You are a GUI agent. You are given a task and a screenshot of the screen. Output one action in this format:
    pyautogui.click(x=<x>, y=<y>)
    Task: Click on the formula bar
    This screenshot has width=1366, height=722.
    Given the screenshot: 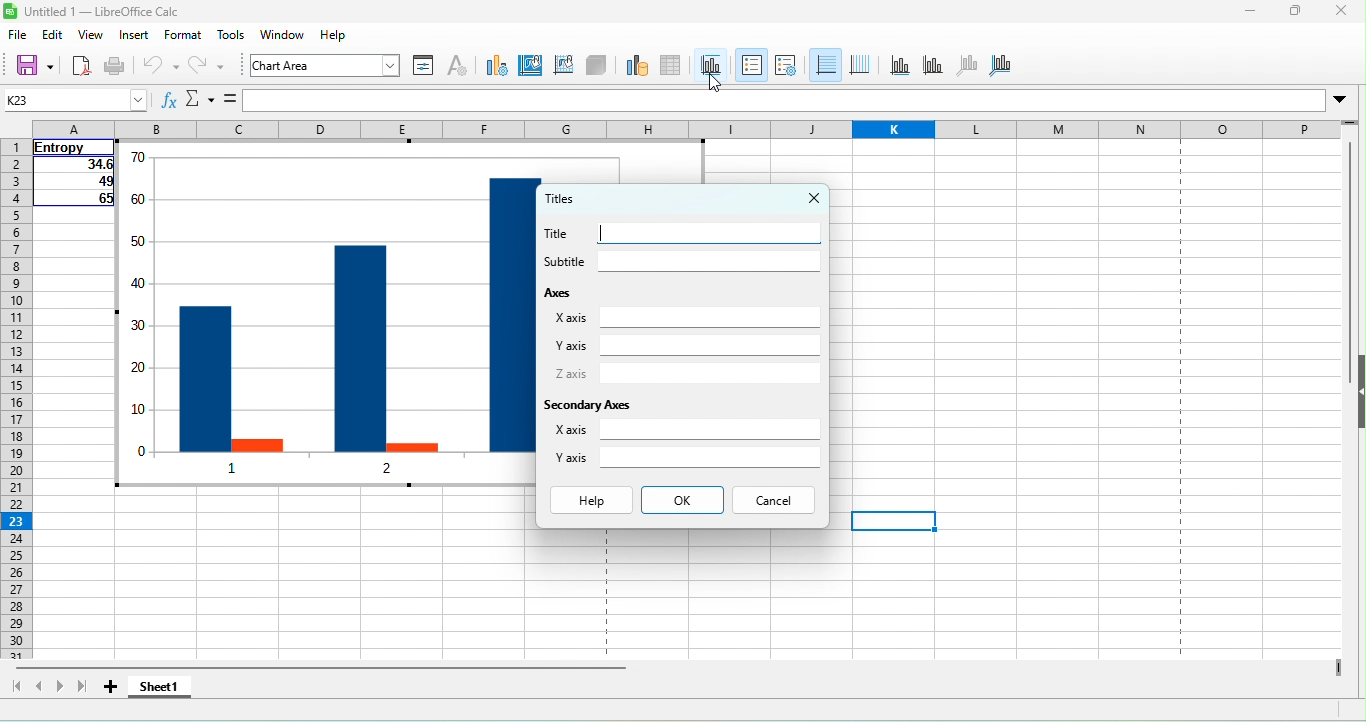 What is the action you would take?
    pyautogui.click(x=800, y=98)
    